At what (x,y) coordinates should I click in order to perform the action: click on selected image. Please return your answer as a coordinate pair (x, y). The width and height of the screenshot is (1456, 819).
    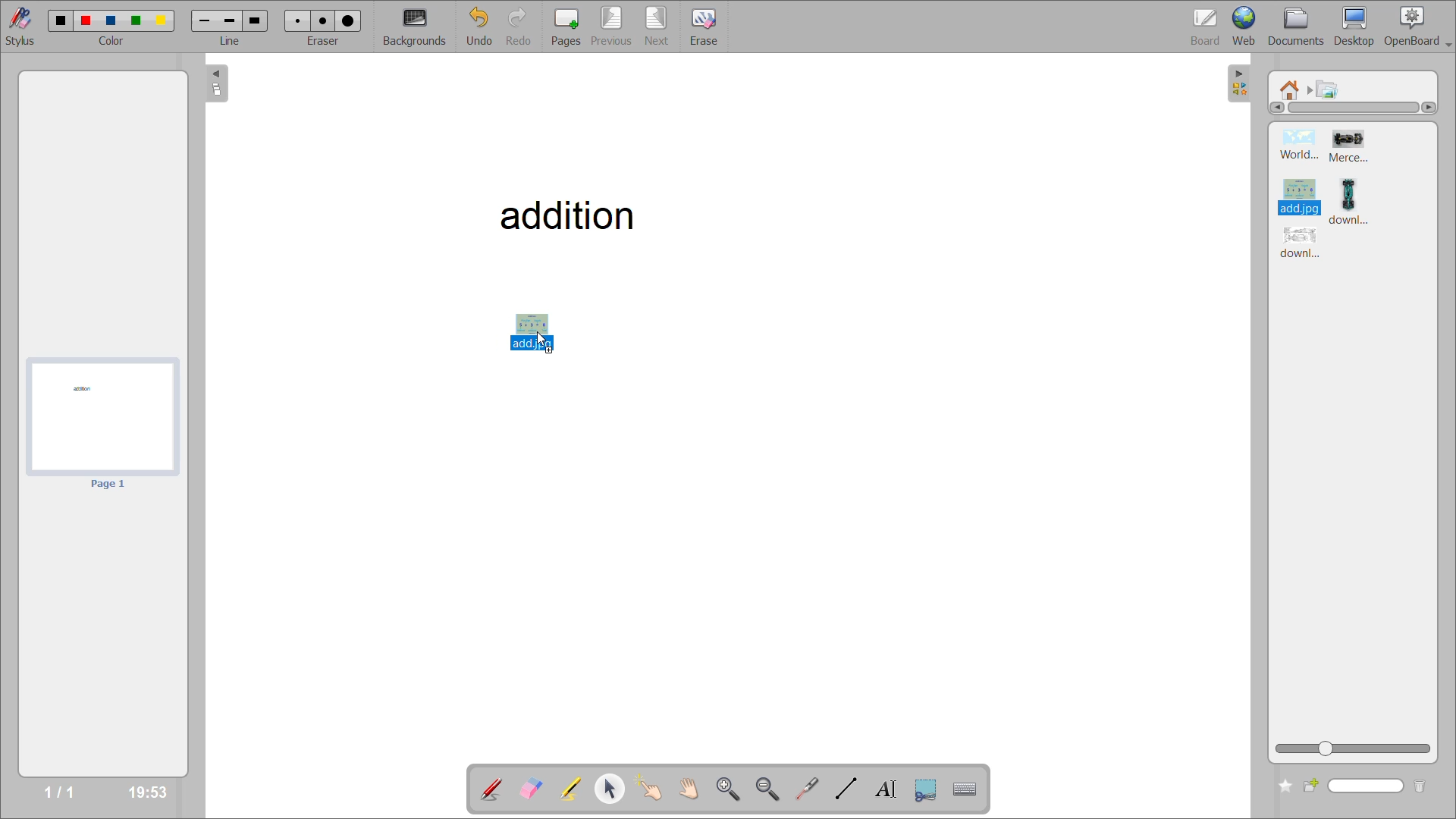
    Looking at the image, I should click on (530, 331).